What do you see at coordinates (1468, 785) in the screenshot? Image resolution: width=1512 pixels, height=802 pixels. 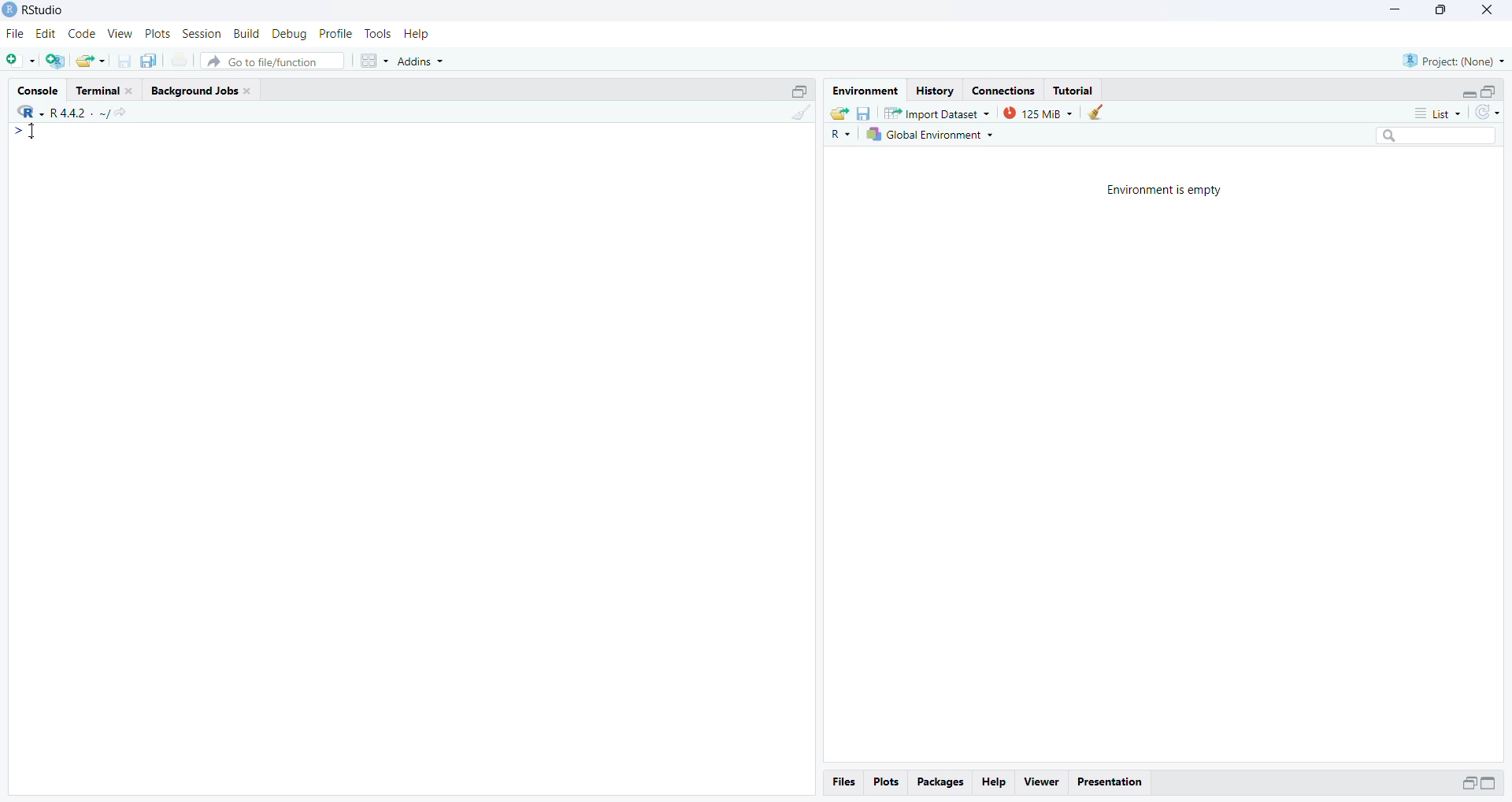 I see `minimize` at bounding box center [1468, 785].